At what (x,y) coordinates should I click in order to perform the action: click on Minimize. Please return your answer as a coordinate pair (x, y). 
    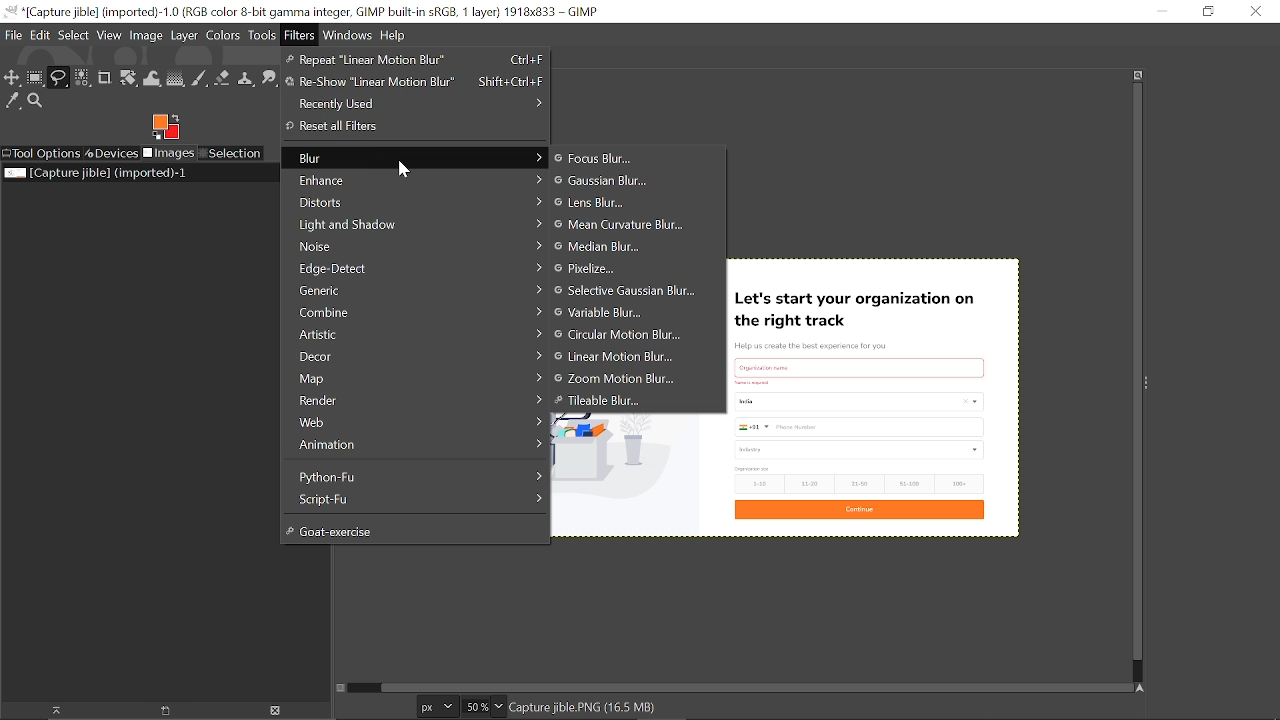
    Looking at the image, I should click on (1159, 11).